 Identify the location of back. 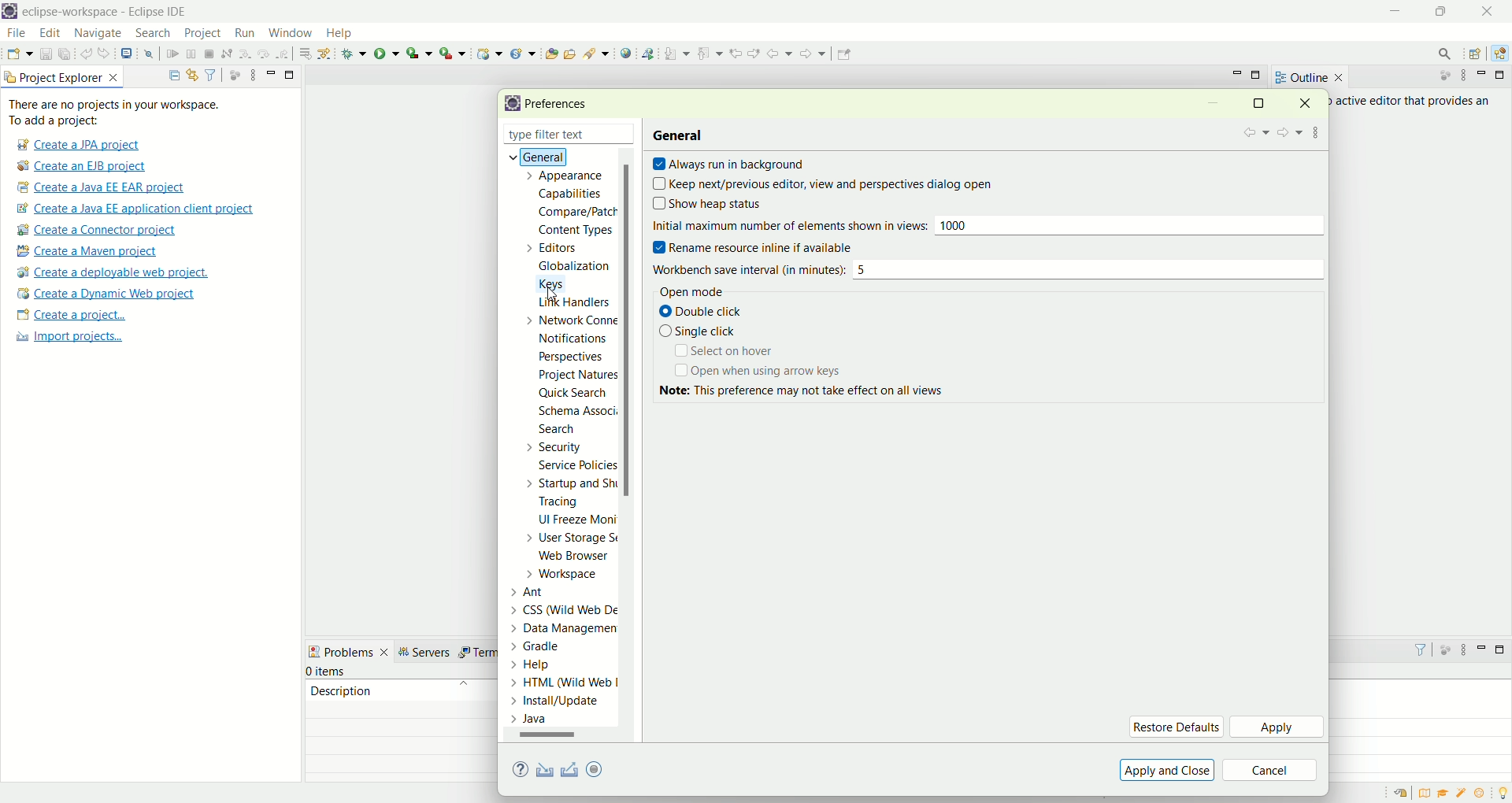
(1254, 133).